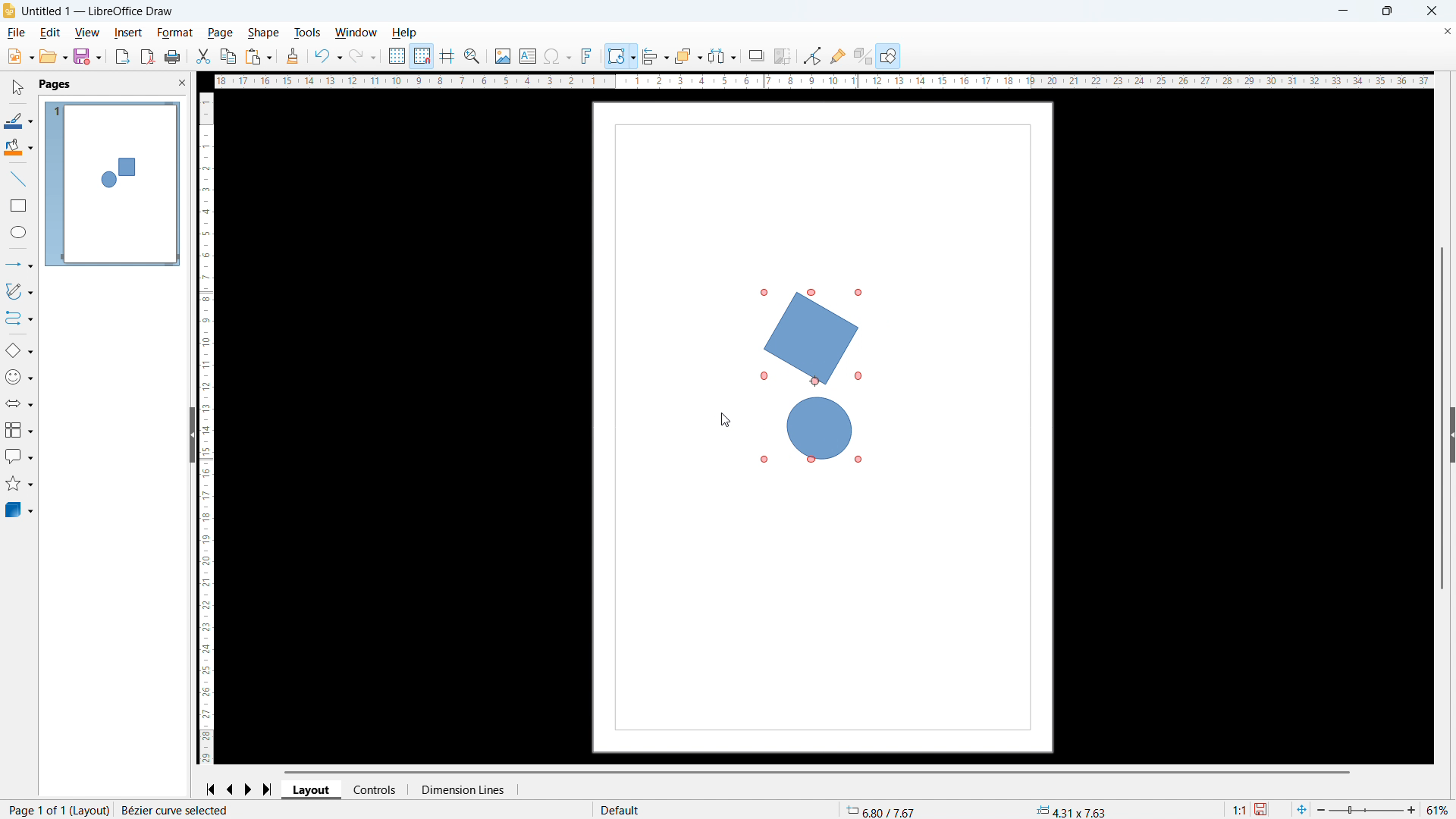 This screenshot has height=819, width=1456. I want to click on Fit to page , so click(1301, 810).